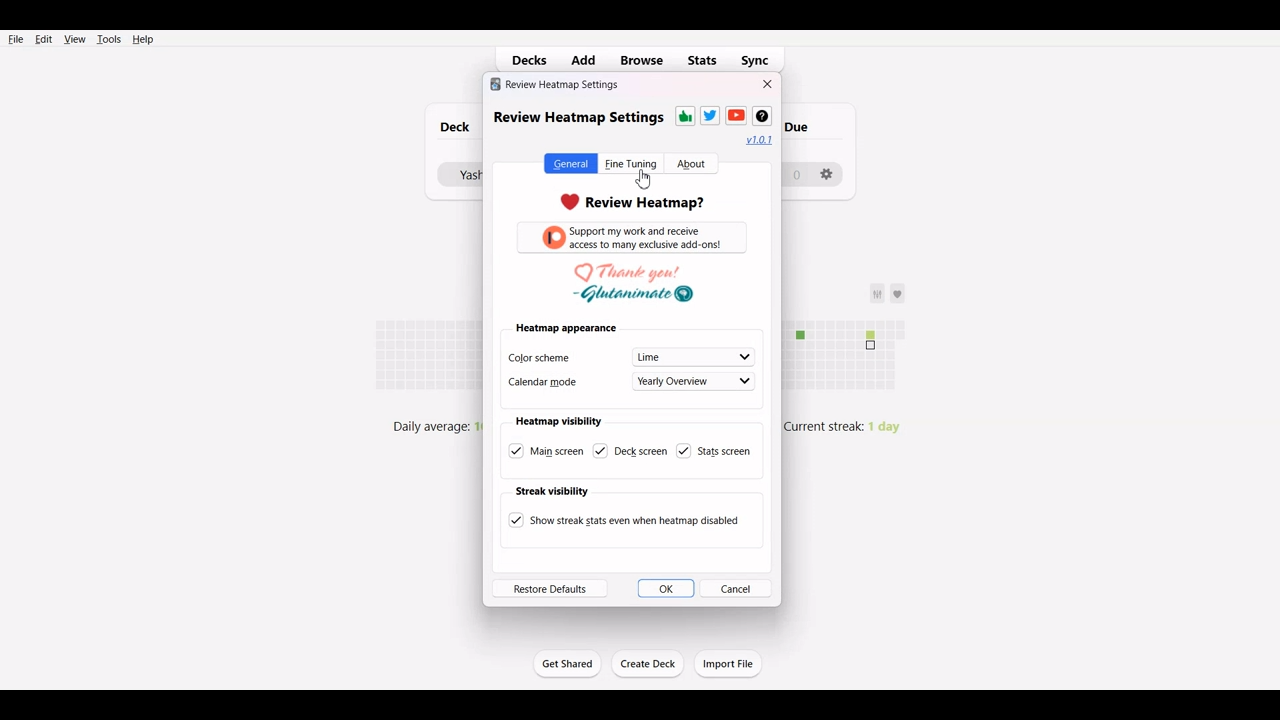 This screenshot has height=720, width=1280. What do you see at coordinates (450, 127) in the screenshot?
I see `Deck` at bounding box center [450, 127].